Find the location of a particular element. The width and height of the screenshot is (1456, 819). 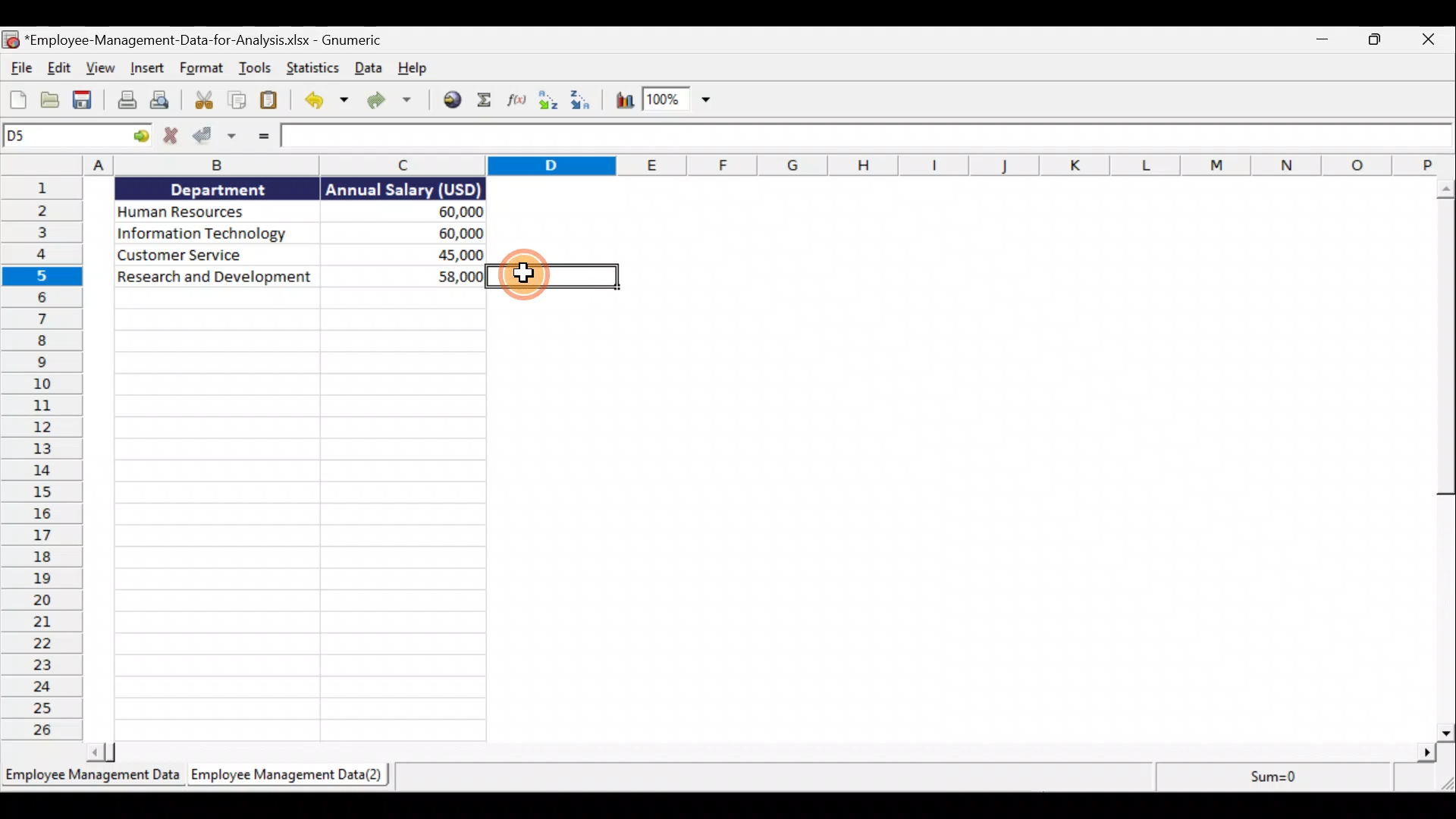

Paste is located at coordinates (270, 99).